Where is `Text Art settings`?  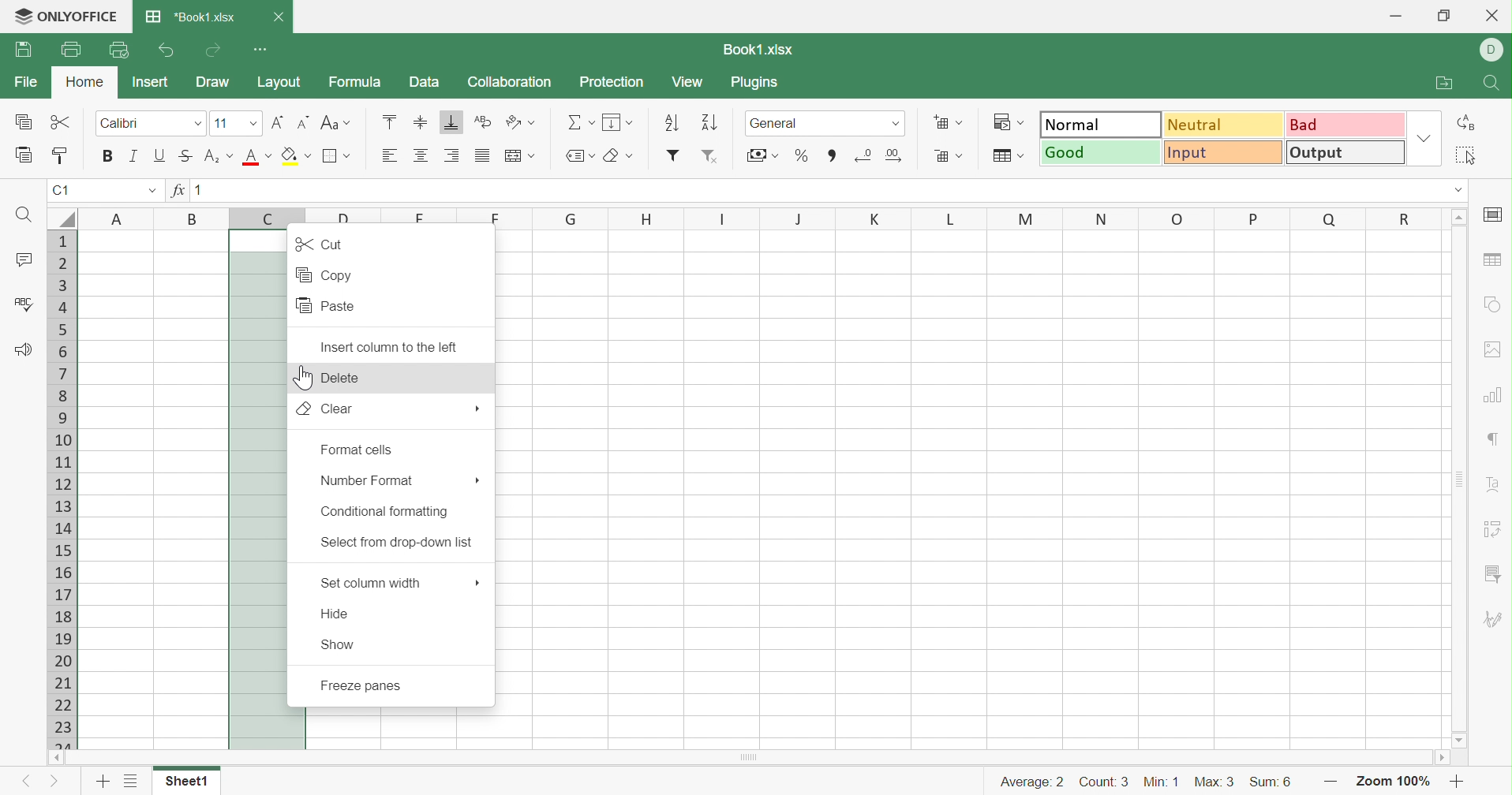
Text Art settings is located at coordinates (1494, 487).